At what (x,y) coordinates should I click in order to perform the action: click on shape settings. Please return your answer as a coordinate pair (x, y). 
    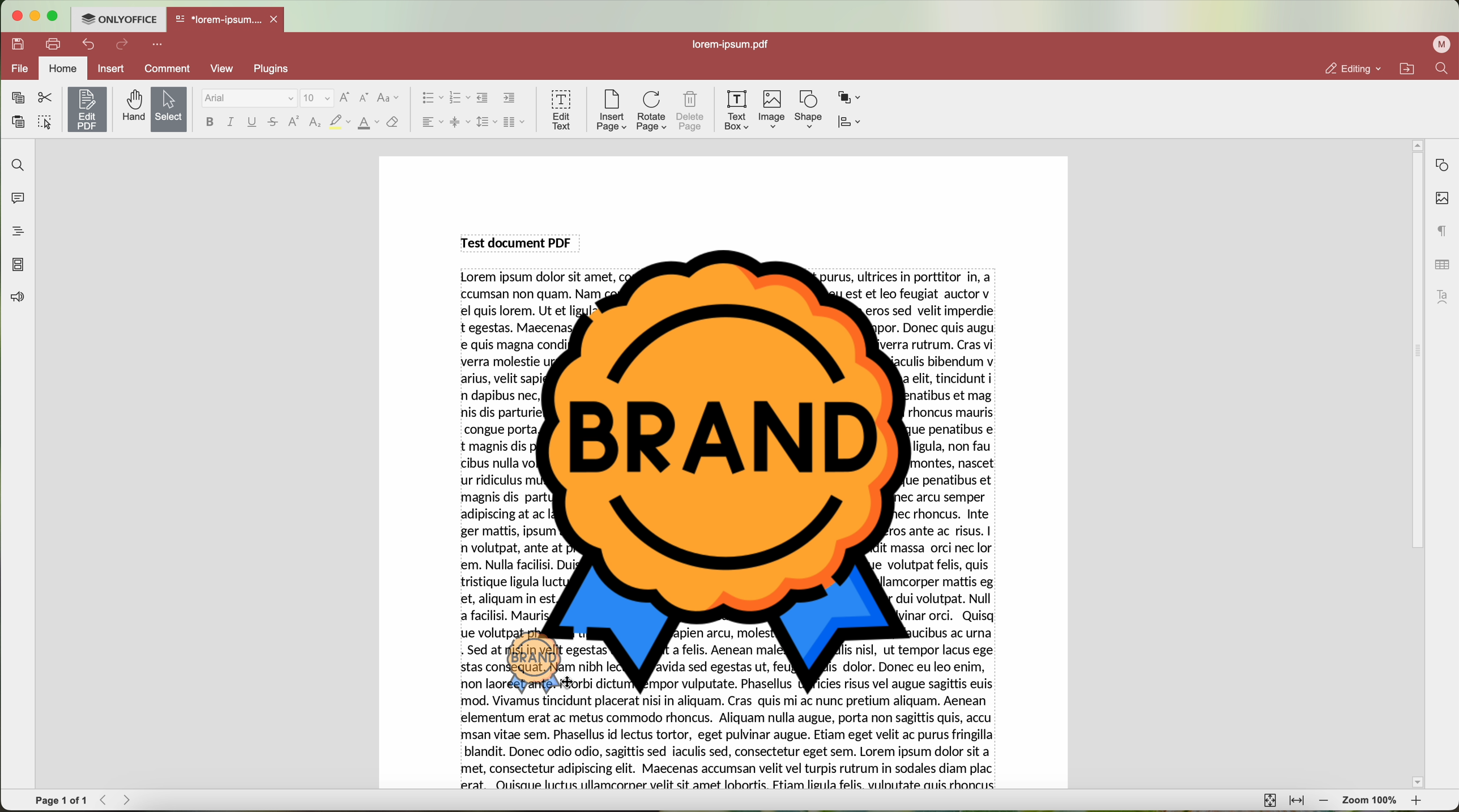
    Looking at the image, I should click on (1441, 165).